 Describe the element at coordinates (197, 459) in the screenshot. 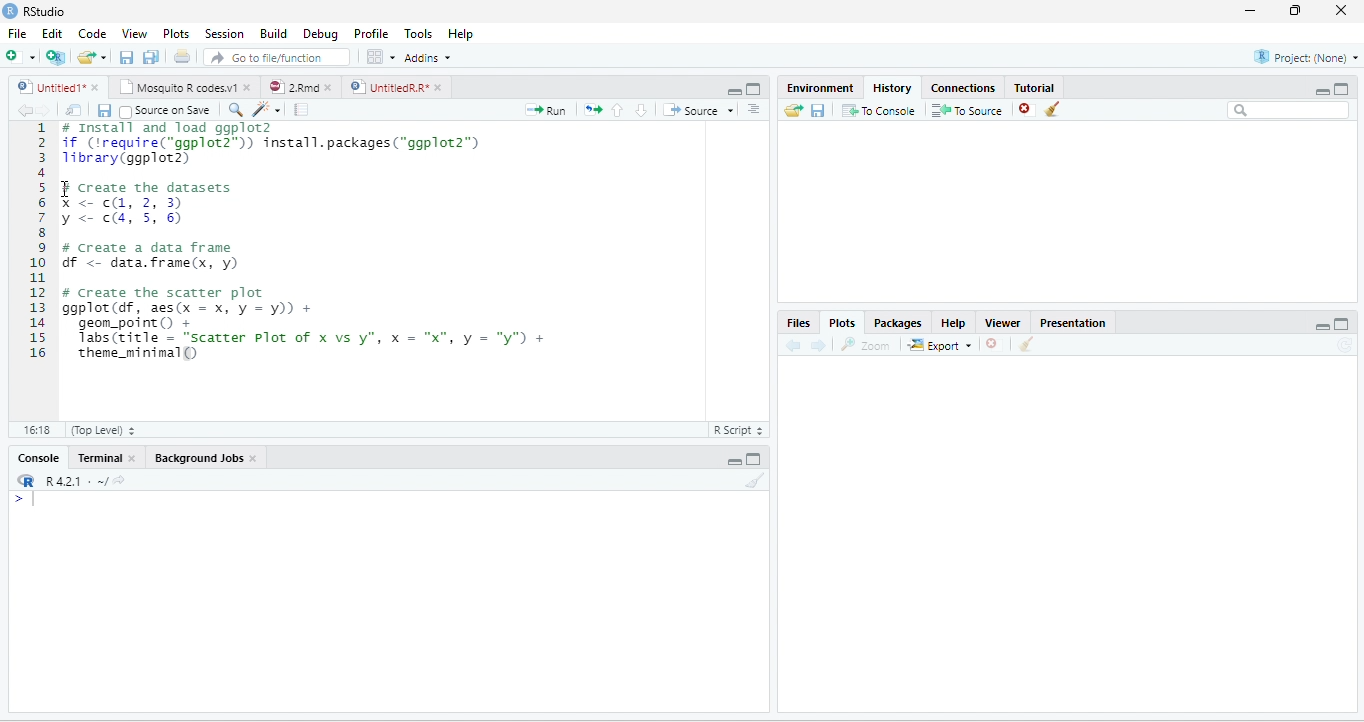

I see `Background Jobs` at that location.